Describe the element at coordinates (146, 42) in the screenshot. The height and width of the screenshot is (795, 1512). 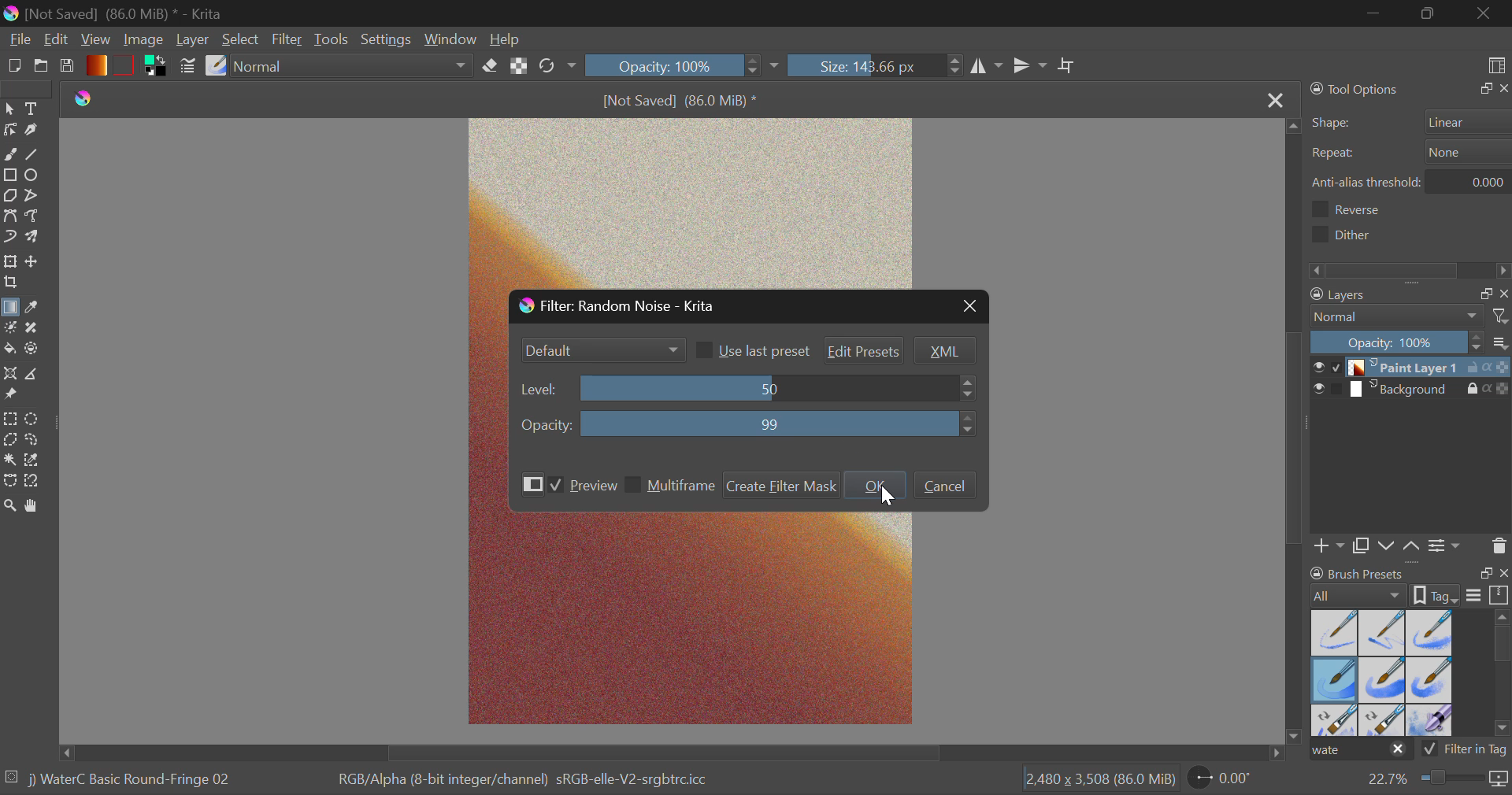
I see `Image` at that location.